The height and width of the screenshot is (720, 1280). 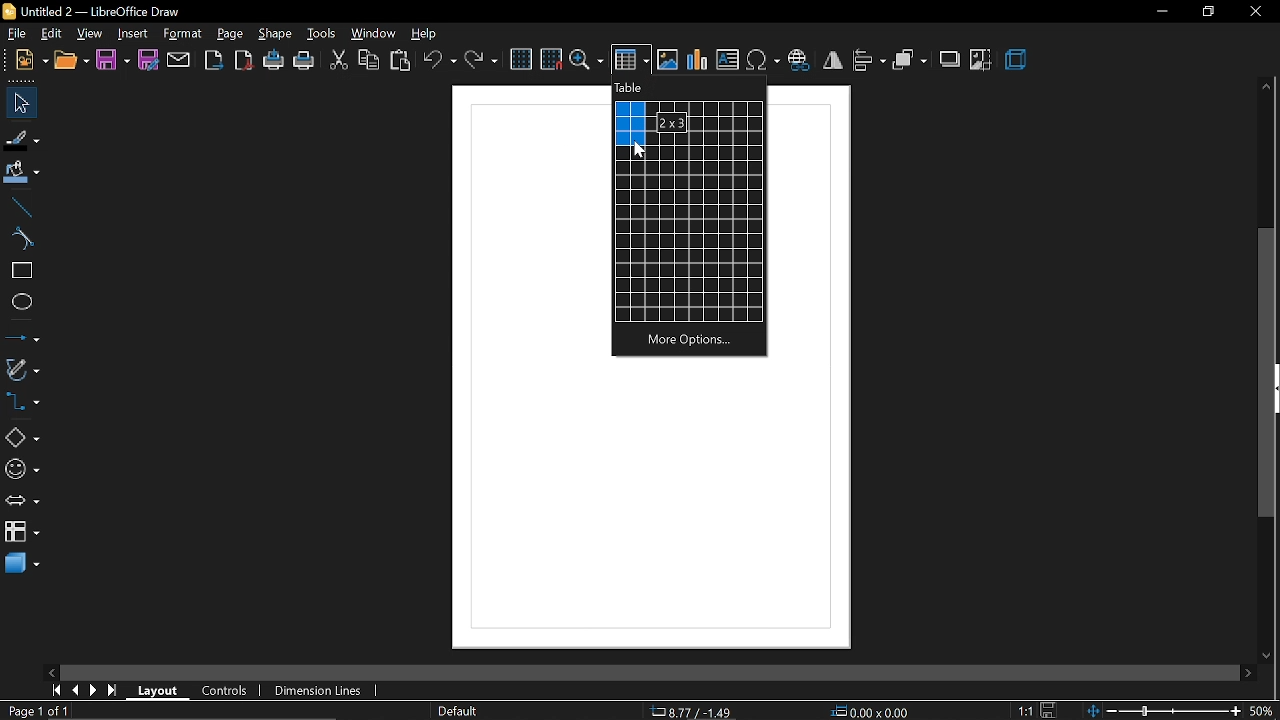 What do you see at coordinates (1268, 372) in the screenshot?
I see `vertical scrollbar` at bounding box center [1268, 372].